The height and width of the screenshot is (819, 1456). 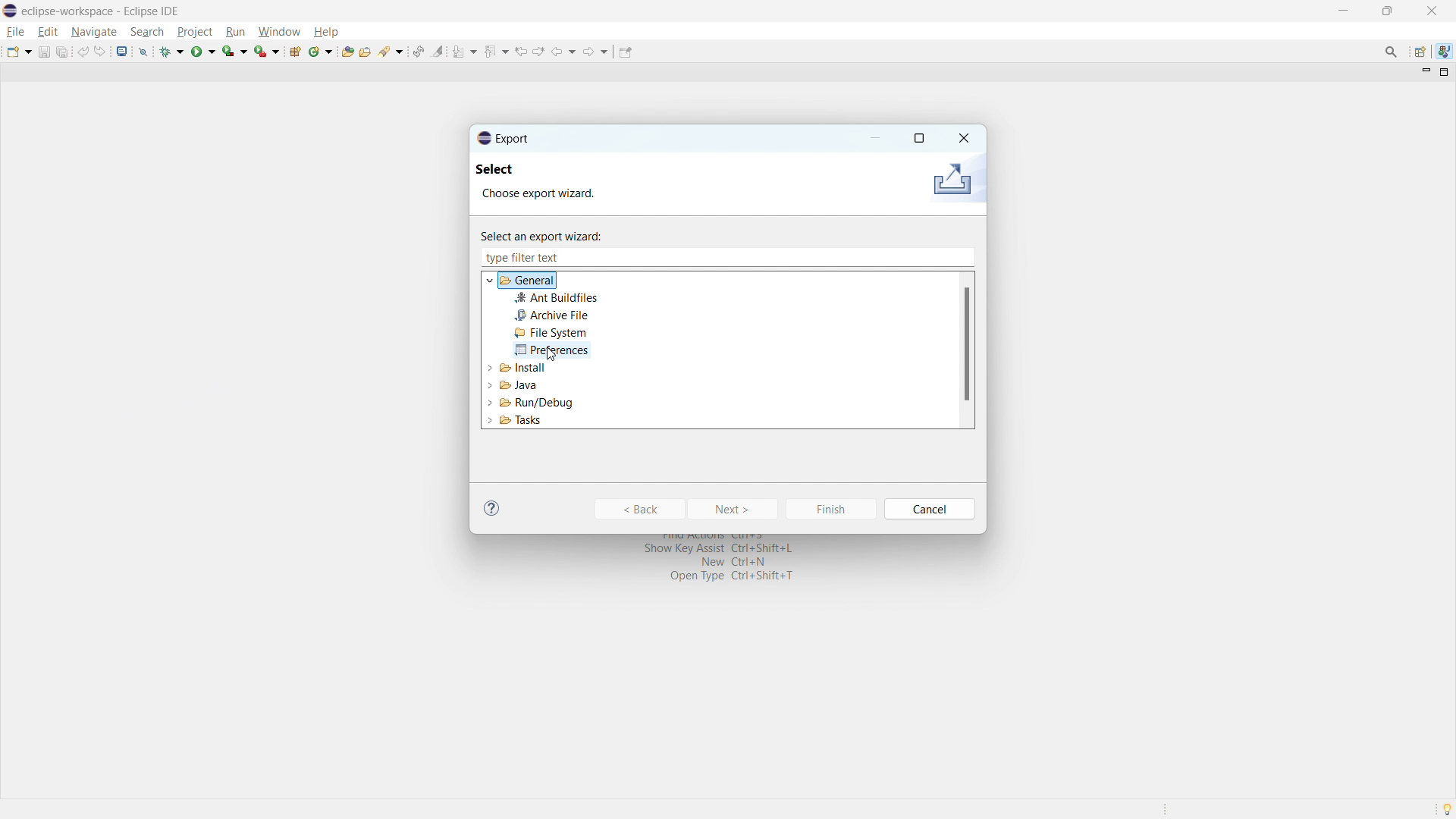 I want to click on next annotation, so click(x=465, y=52).